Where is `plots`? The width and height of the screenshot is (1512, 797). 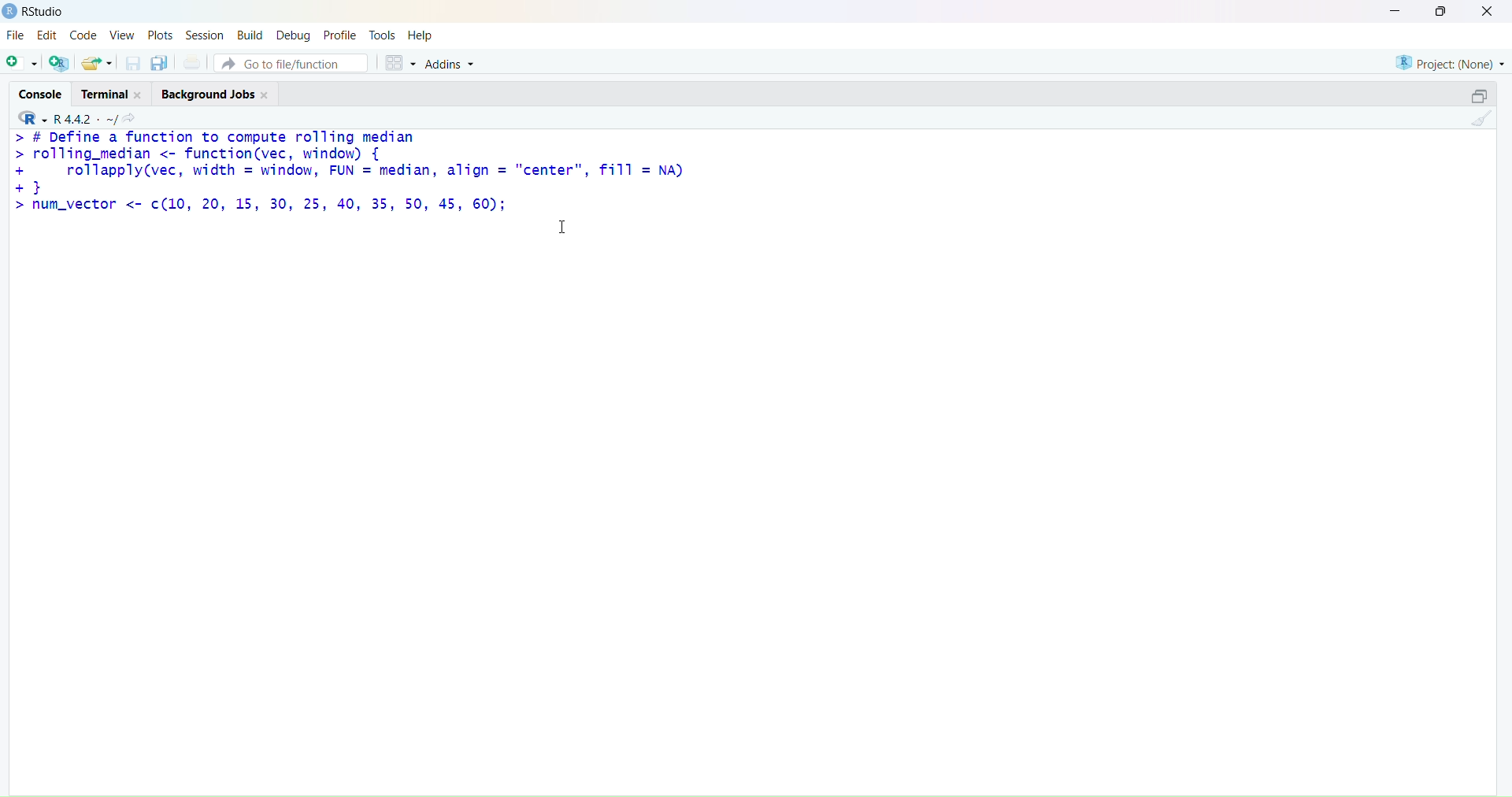
plots is located at coordinates (162, 35).